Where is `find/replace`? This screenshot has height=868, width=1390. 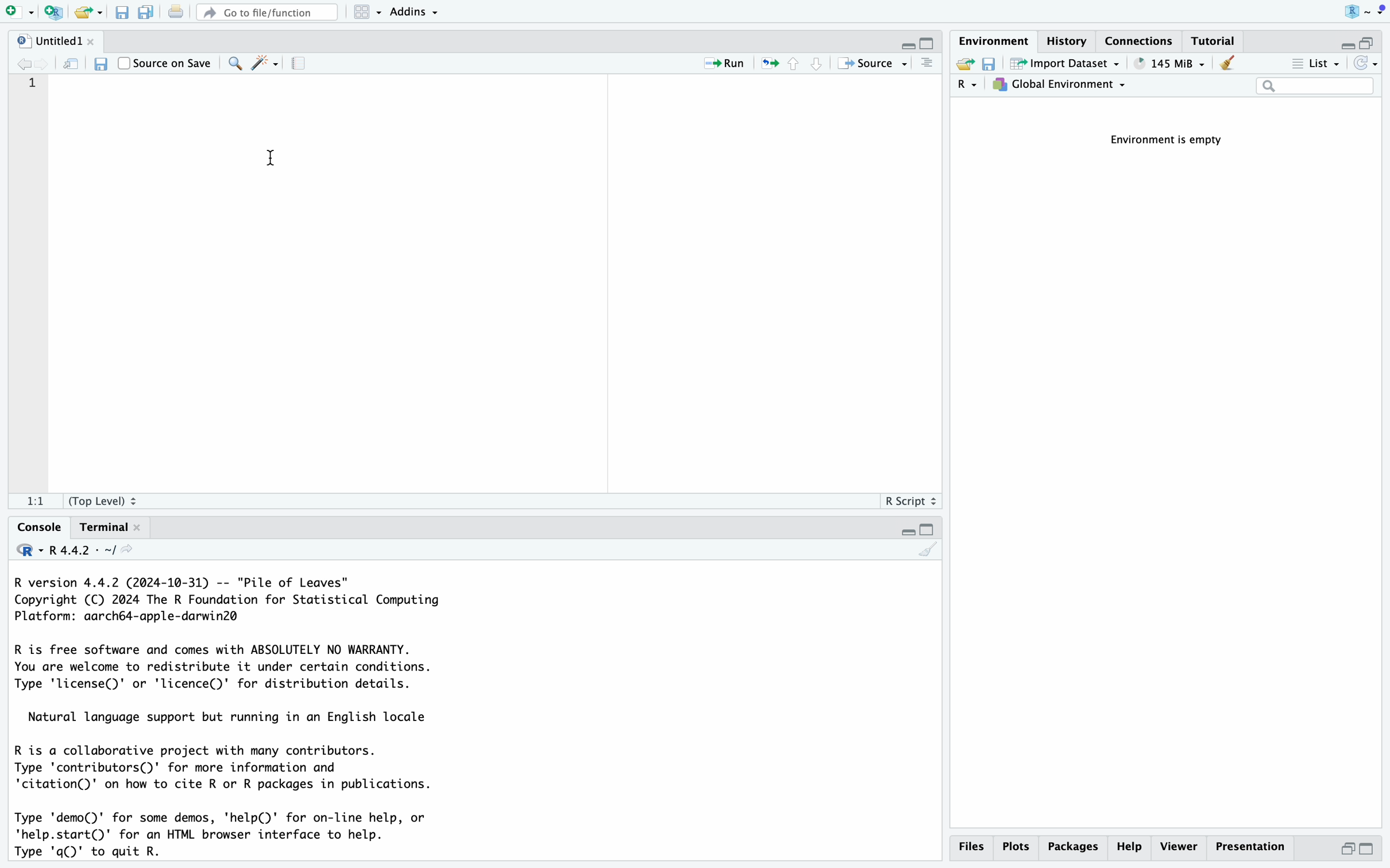
find/replace is located at coordinates (235, 63).